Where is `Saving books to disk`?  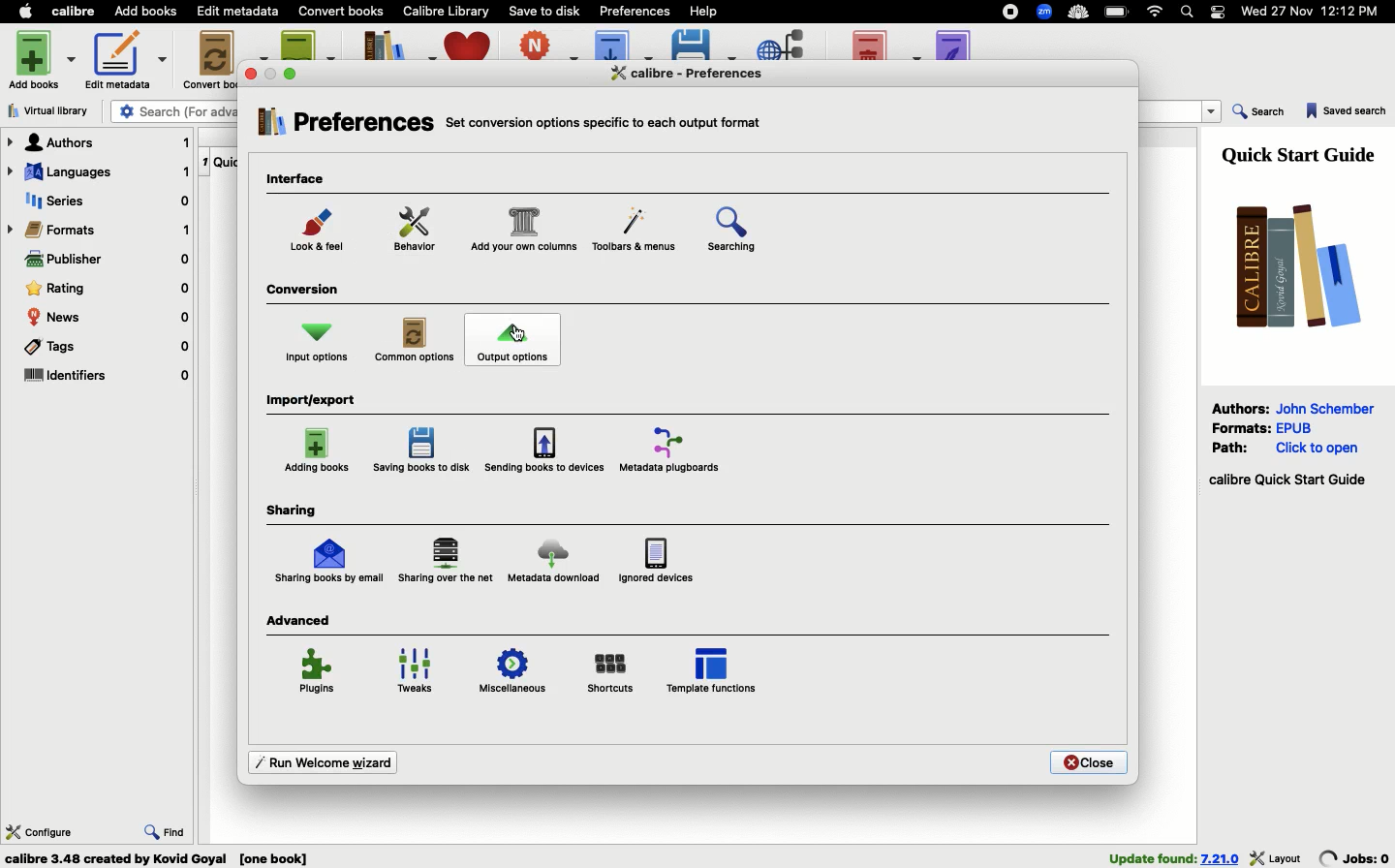 Saving books to disk is located at coordinates (424, 450).